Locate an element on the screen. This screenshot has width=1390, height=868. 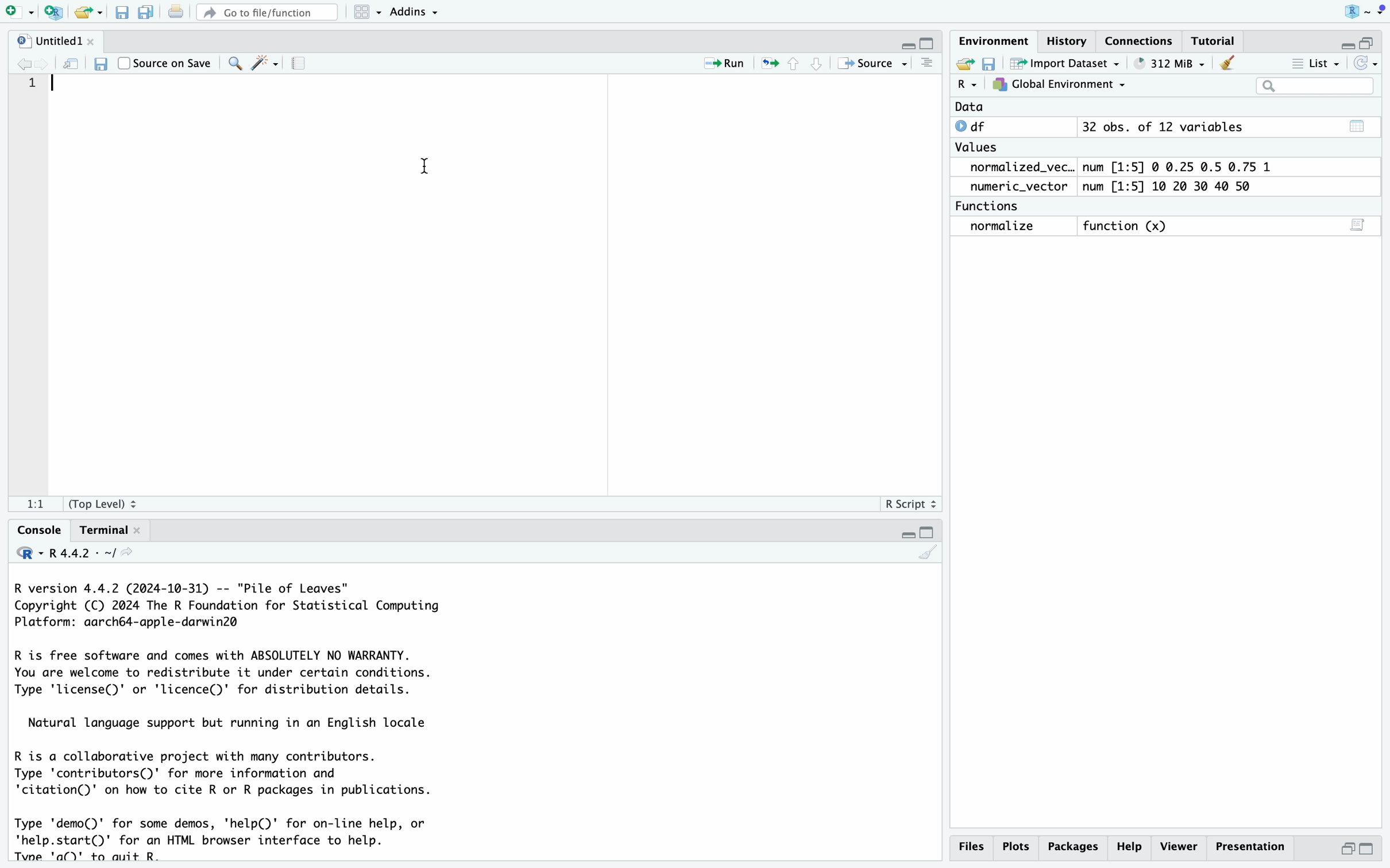
new is located at coordinates (967, 61).